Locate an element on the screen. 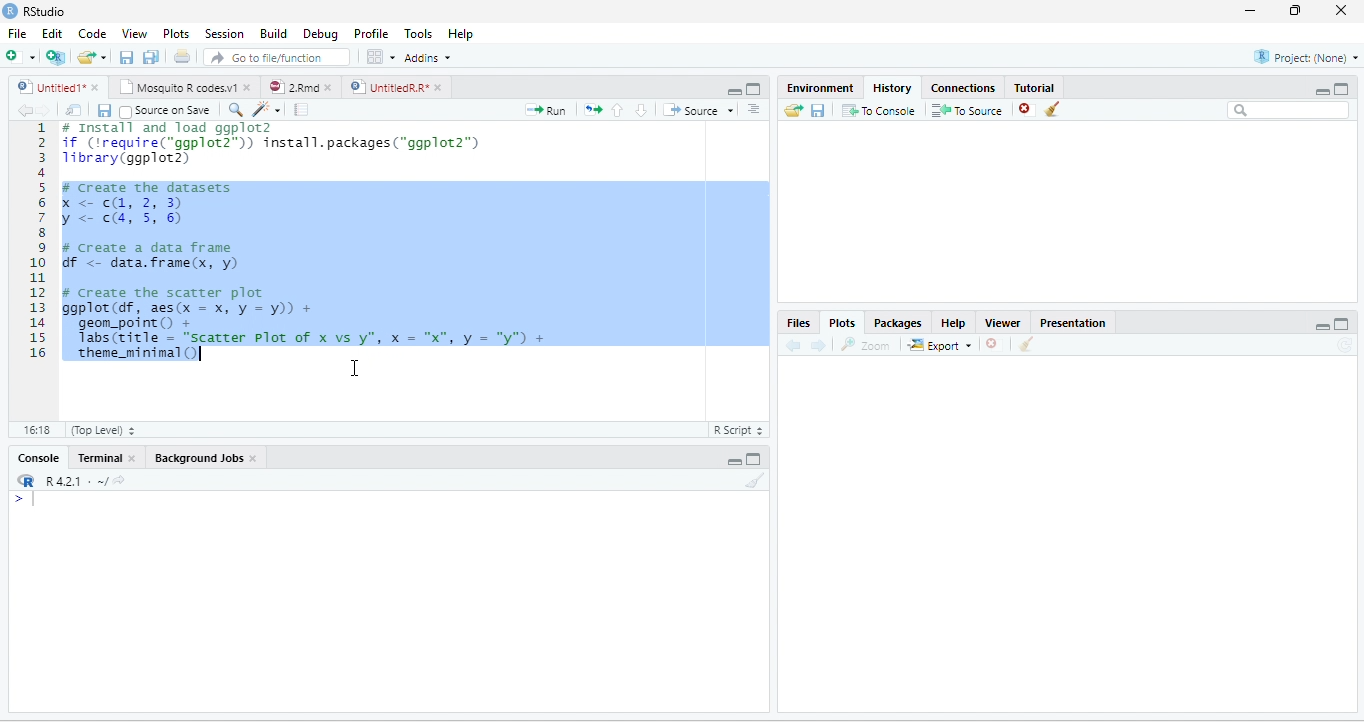 The width and height of the screenshot is (1364, 722). Help is located at coordinates (953, 322).